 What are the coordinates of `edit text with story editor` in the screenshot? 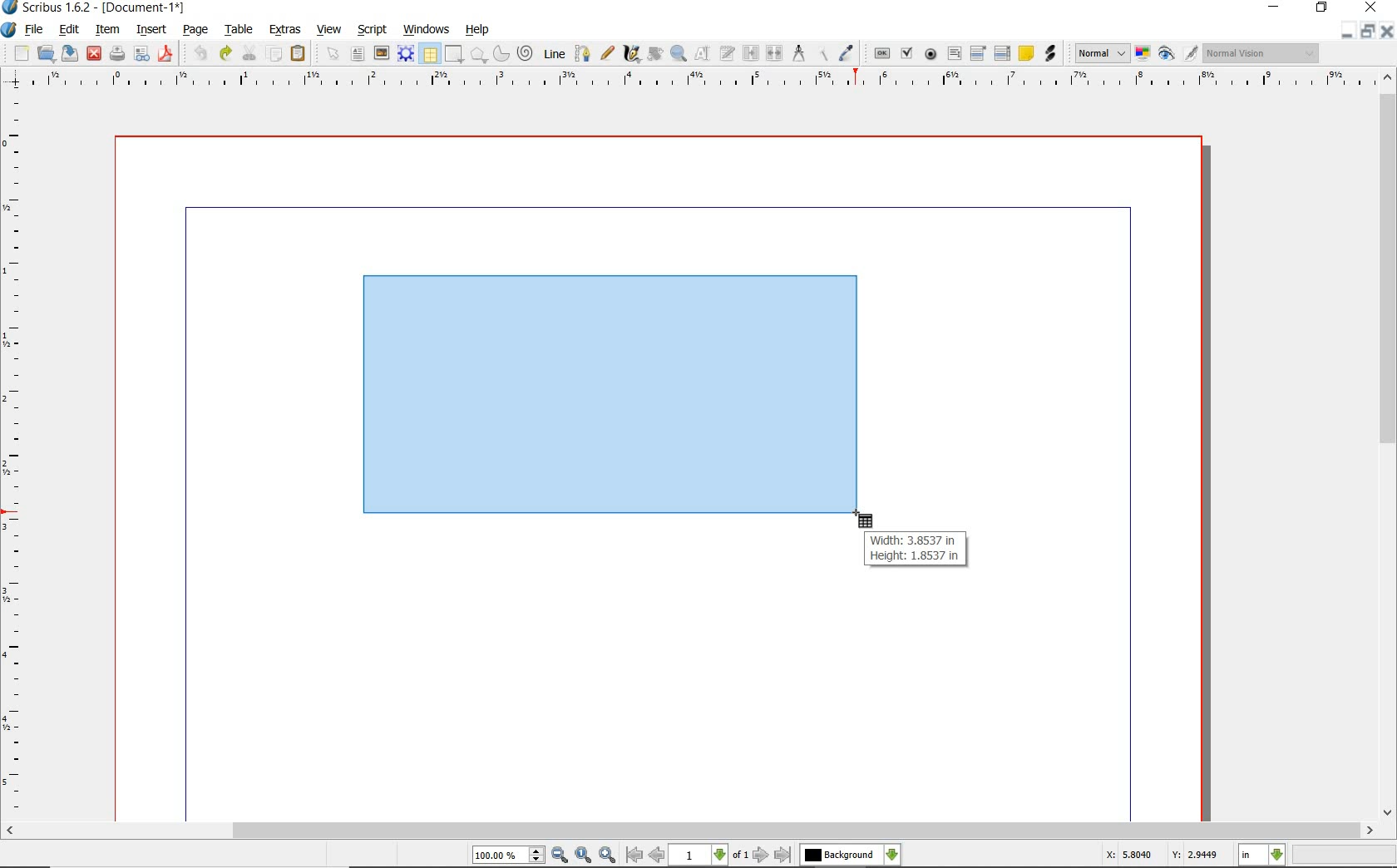 It's located at (728, 52).